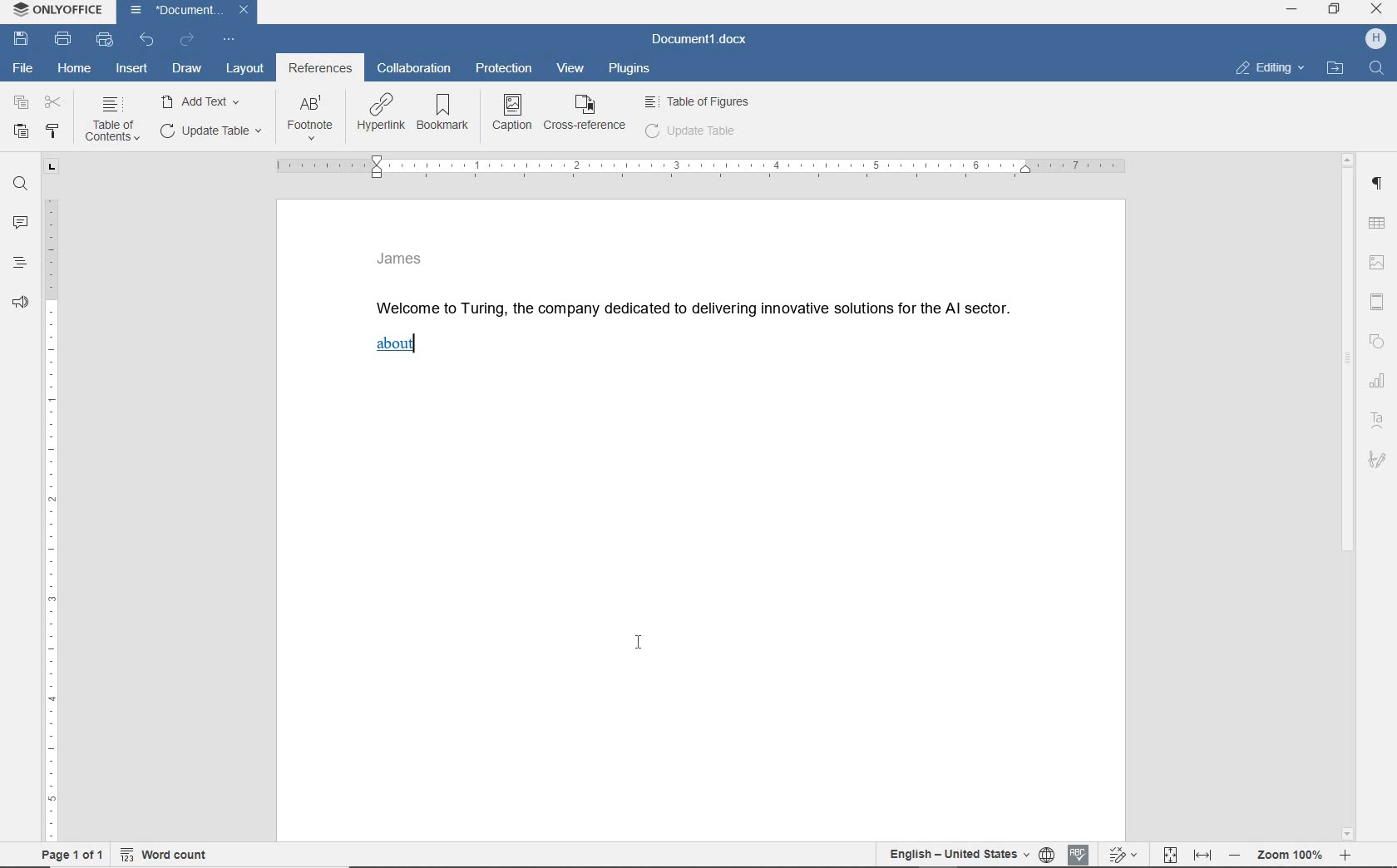 This screenshot has height=868, width=1397. I want to click on print file, so click(64, 40).